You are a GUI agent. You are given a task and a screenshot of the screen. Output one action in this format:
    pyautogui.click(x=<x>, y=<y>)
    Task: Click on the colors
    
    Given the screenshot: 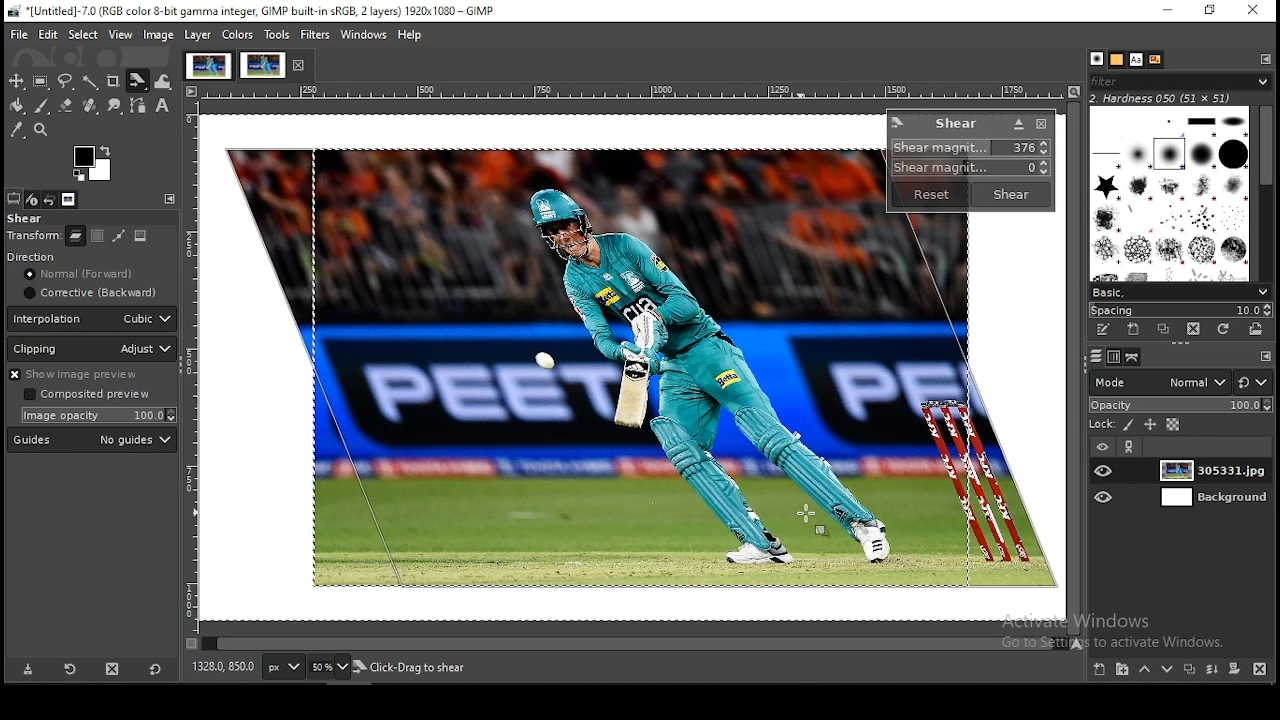 What is the action you would take?
    pyautogui.click(x=93, y=161)
    